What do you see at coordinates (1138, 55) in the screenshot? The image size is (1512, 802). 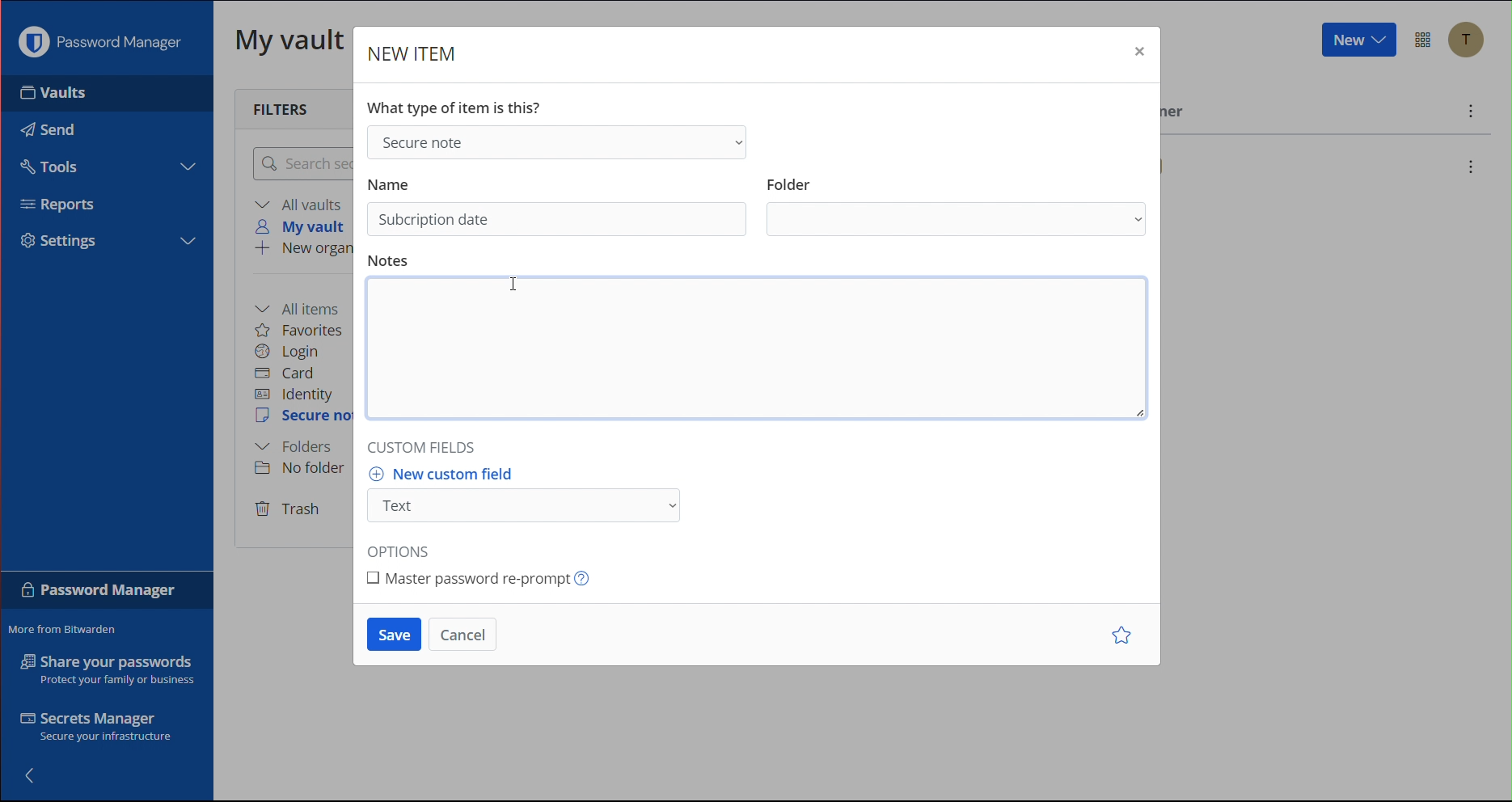 I see `Close` at bounding box center [1138, 55].